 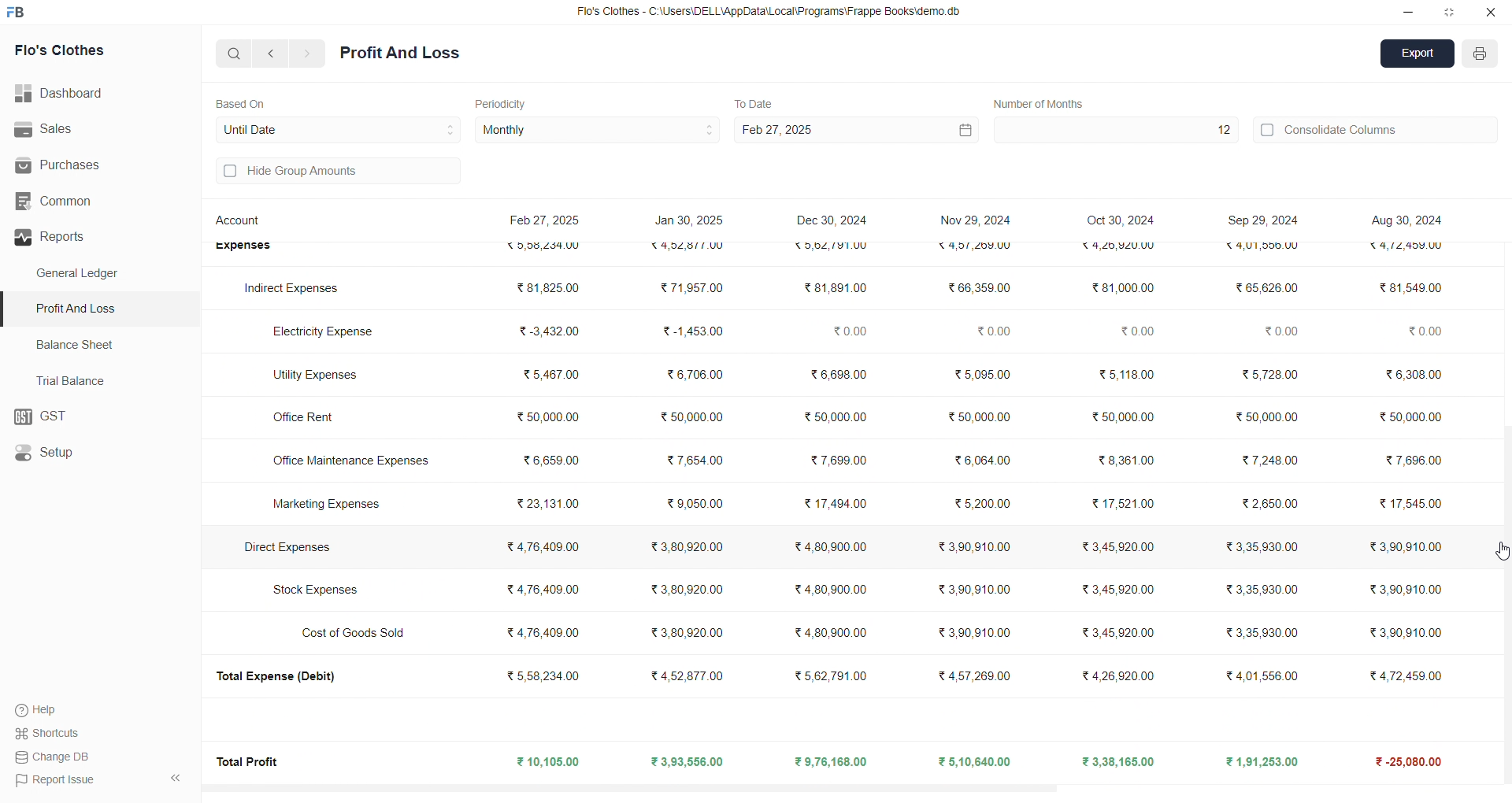 I want to click on ₹66,359.00, so click(x=978, y=287).